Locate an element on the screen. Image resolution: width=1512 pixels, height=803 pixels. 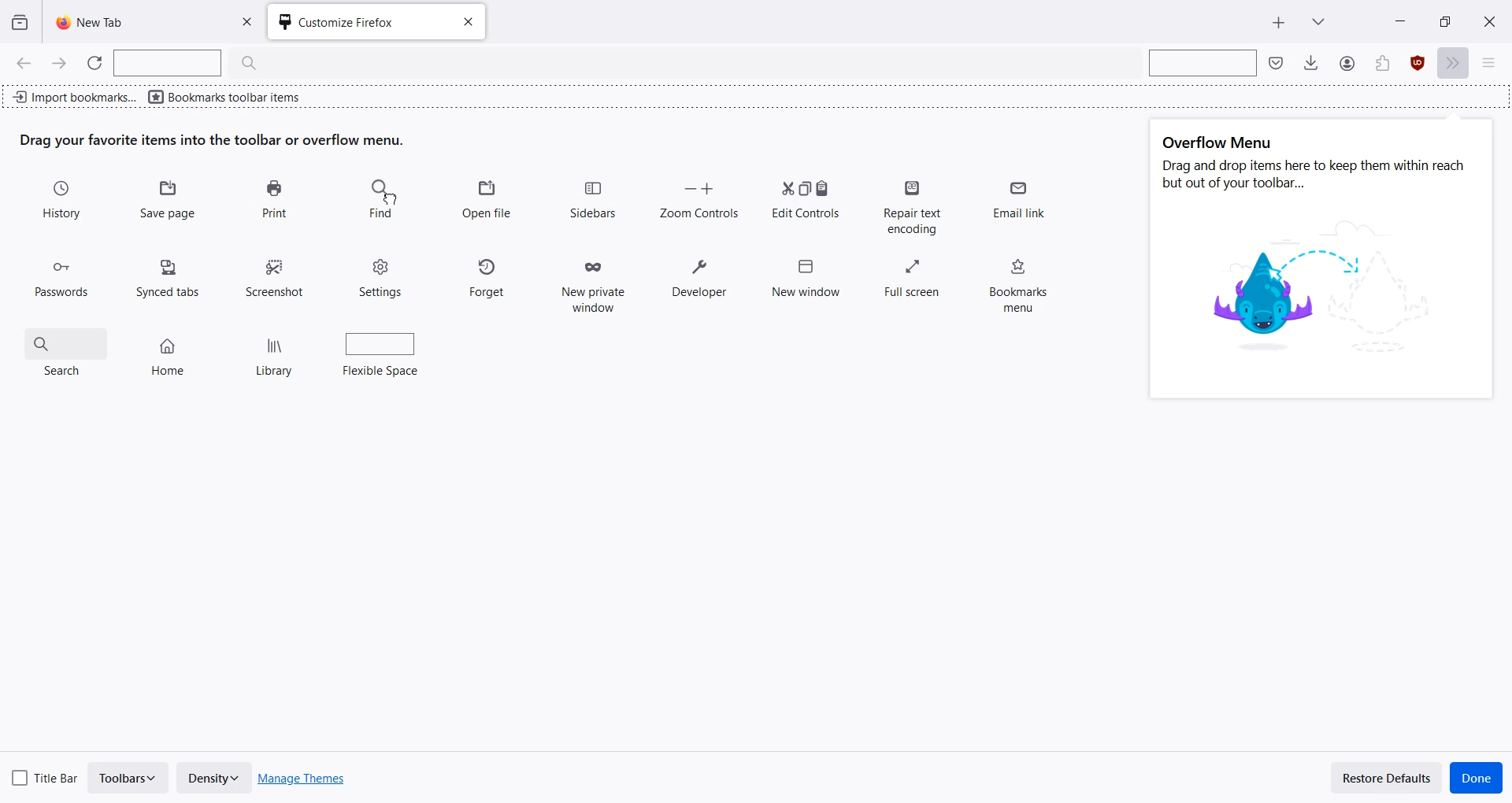
Prints is located at coordinates (274, 200).